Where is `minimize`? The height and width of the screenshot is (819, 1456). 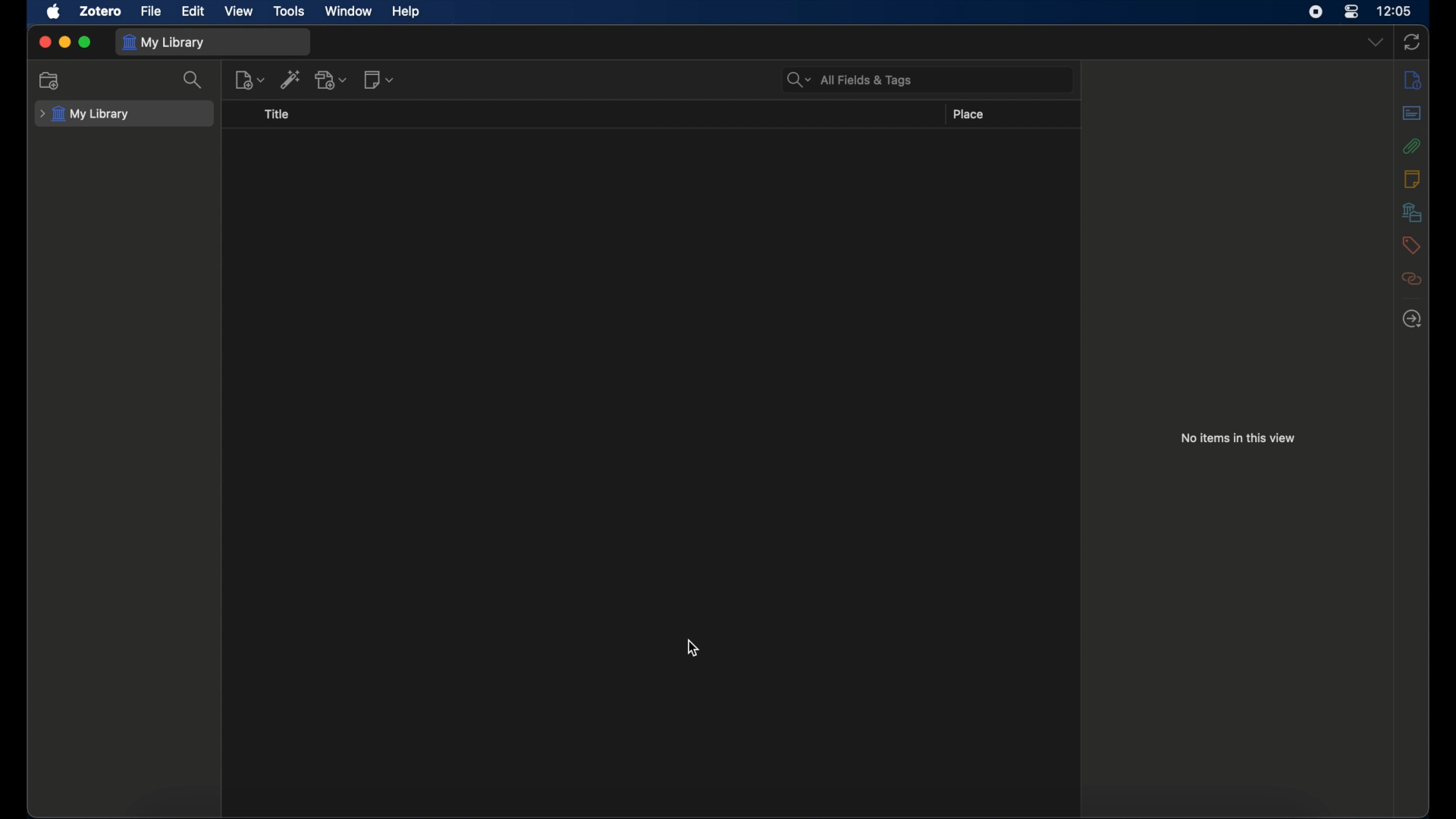 minimize is located at coordinates (65, 42).